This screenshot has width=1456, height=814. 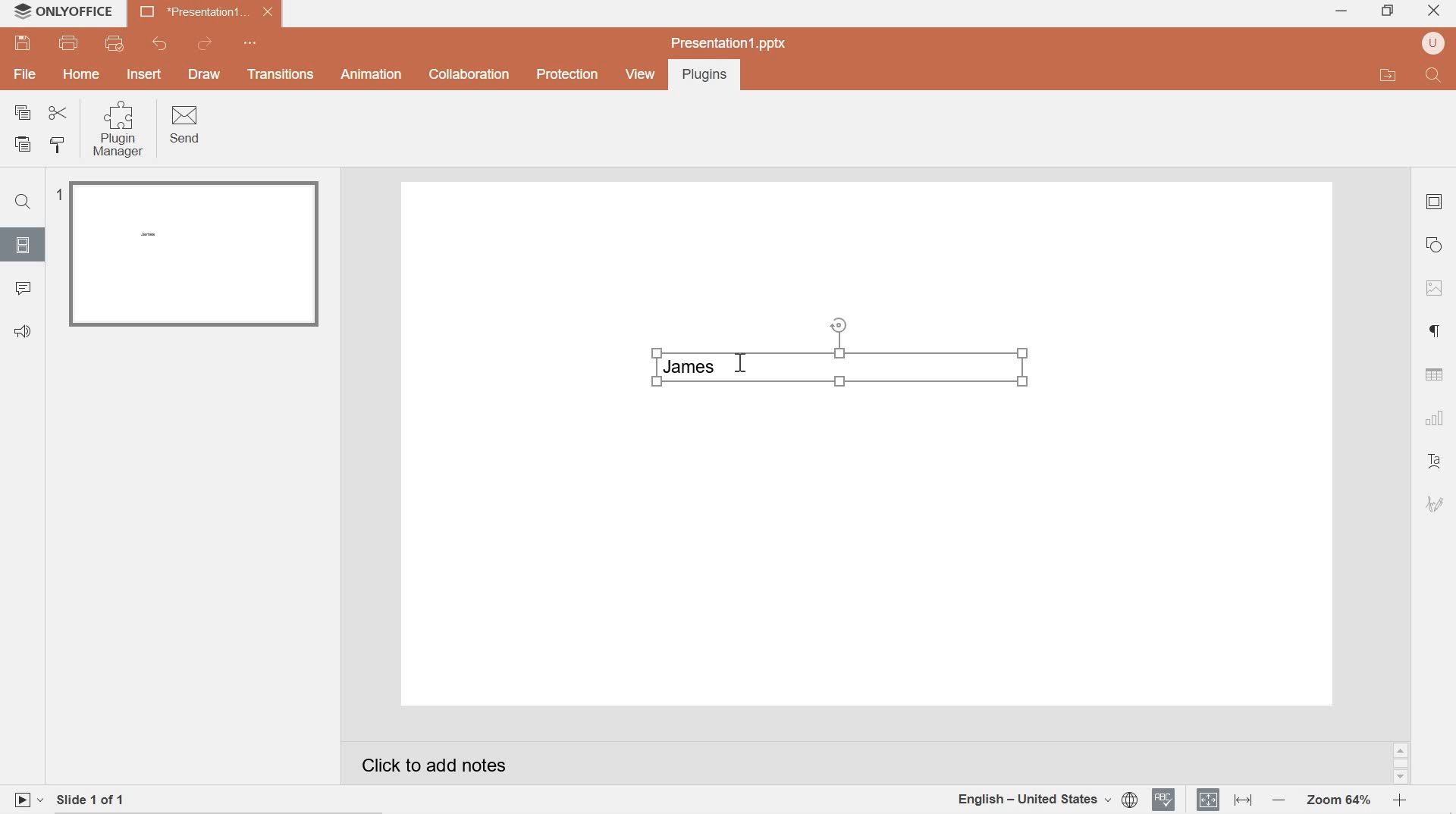 What do you see at coordinates (24, 43) in the screenshot?
I see `save` at bounding box center [24, 43].